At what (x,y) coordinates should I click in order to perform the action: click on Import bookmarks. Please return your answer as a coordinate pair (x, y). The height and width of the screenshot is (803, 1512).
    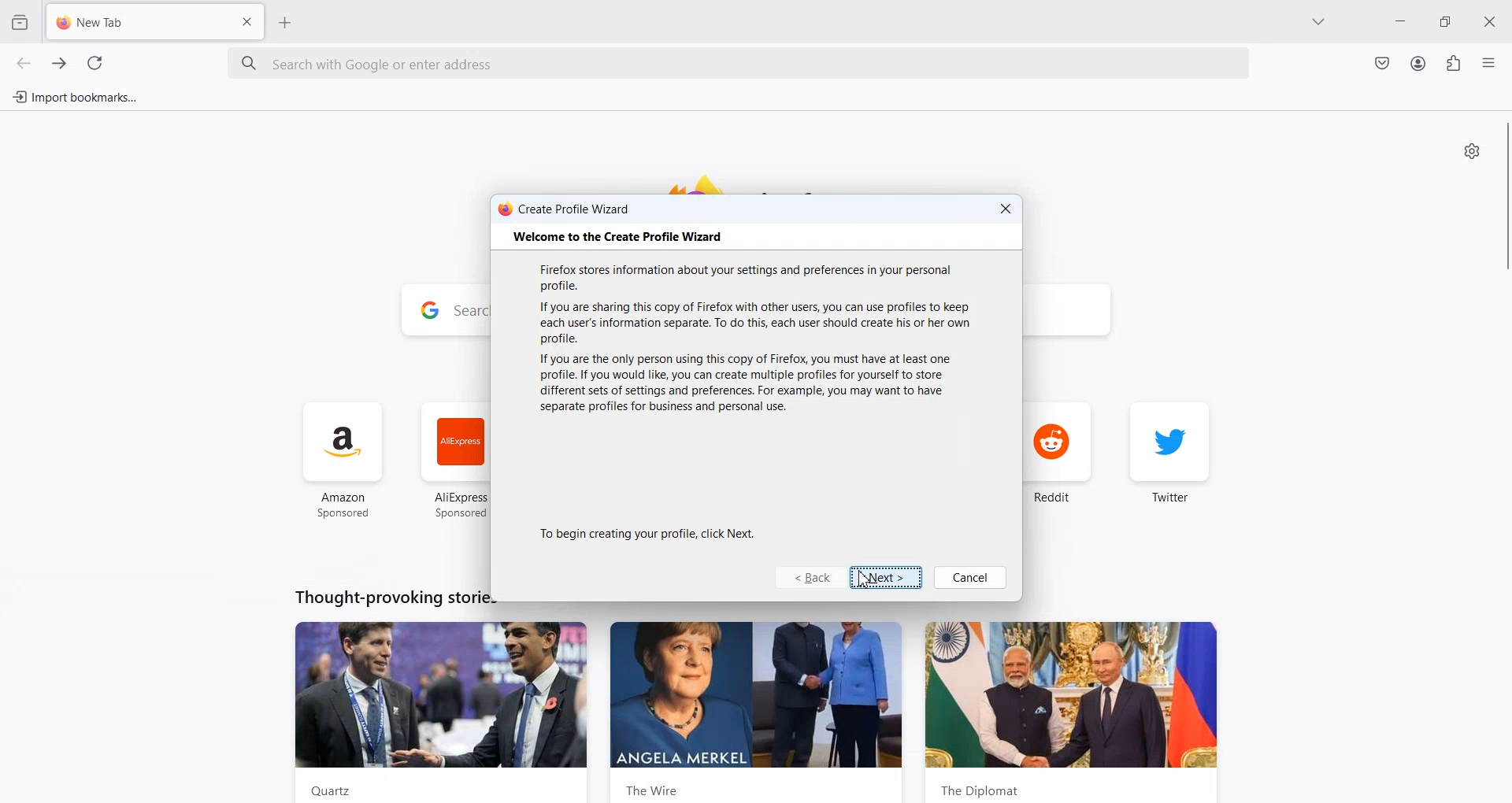
    Looking at the image, I should click on (75, 97).